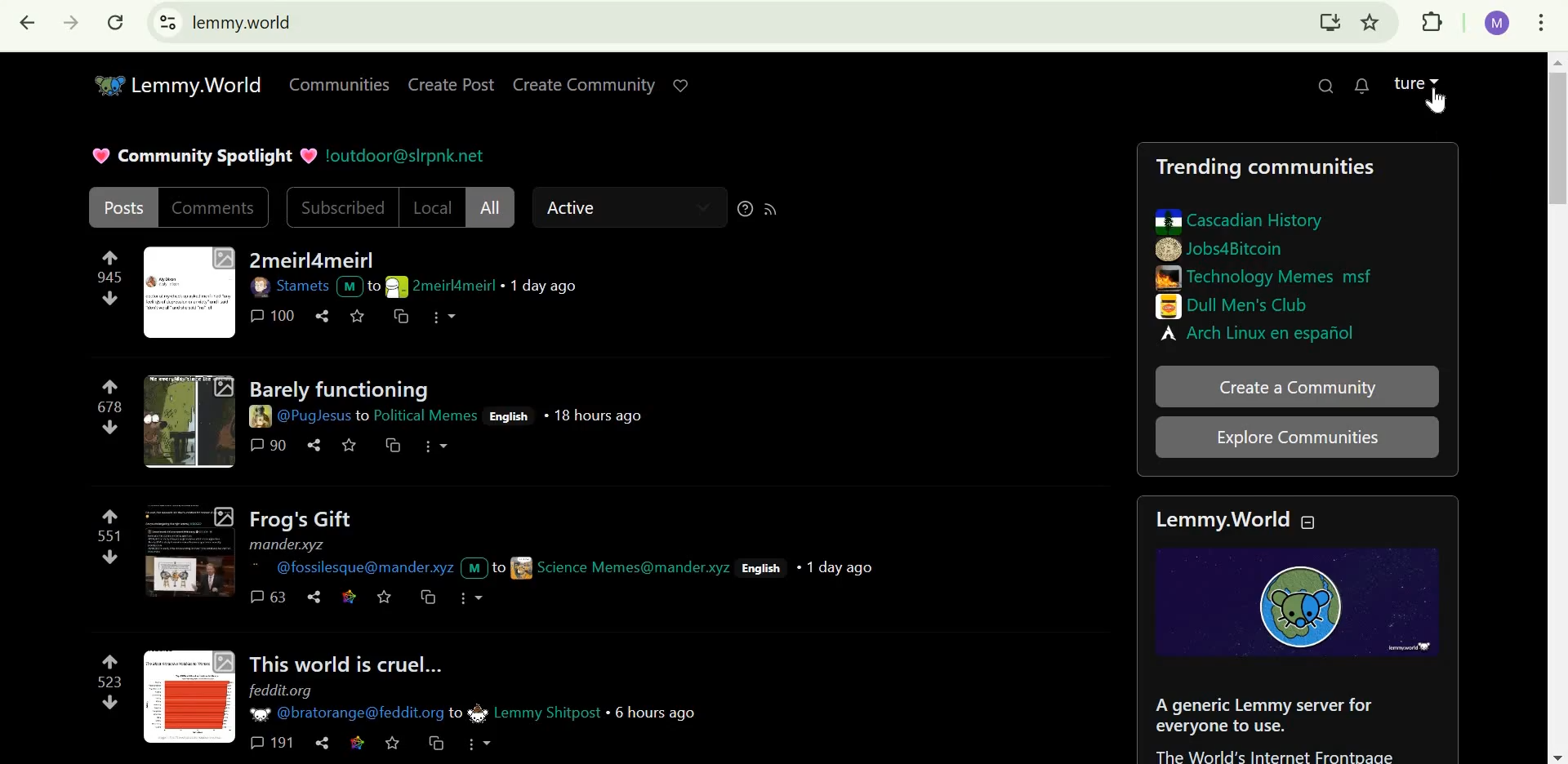 The width and height of the screenshot is (1568, 764). I want to click on 945 points, so click(107, 278).